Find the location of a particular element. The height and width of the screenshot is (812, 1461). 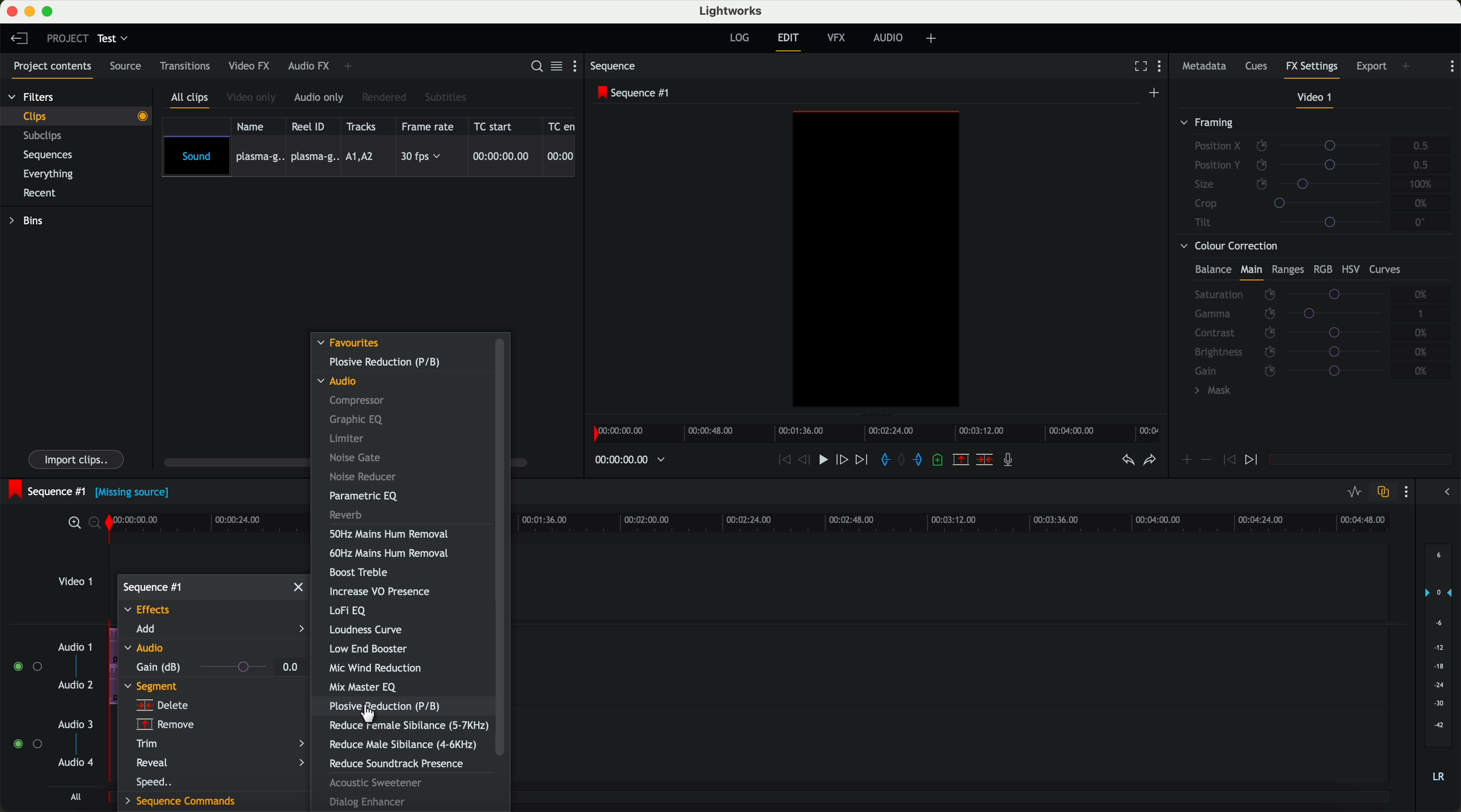

nudge one frame back is located at coordinates (807, 460).